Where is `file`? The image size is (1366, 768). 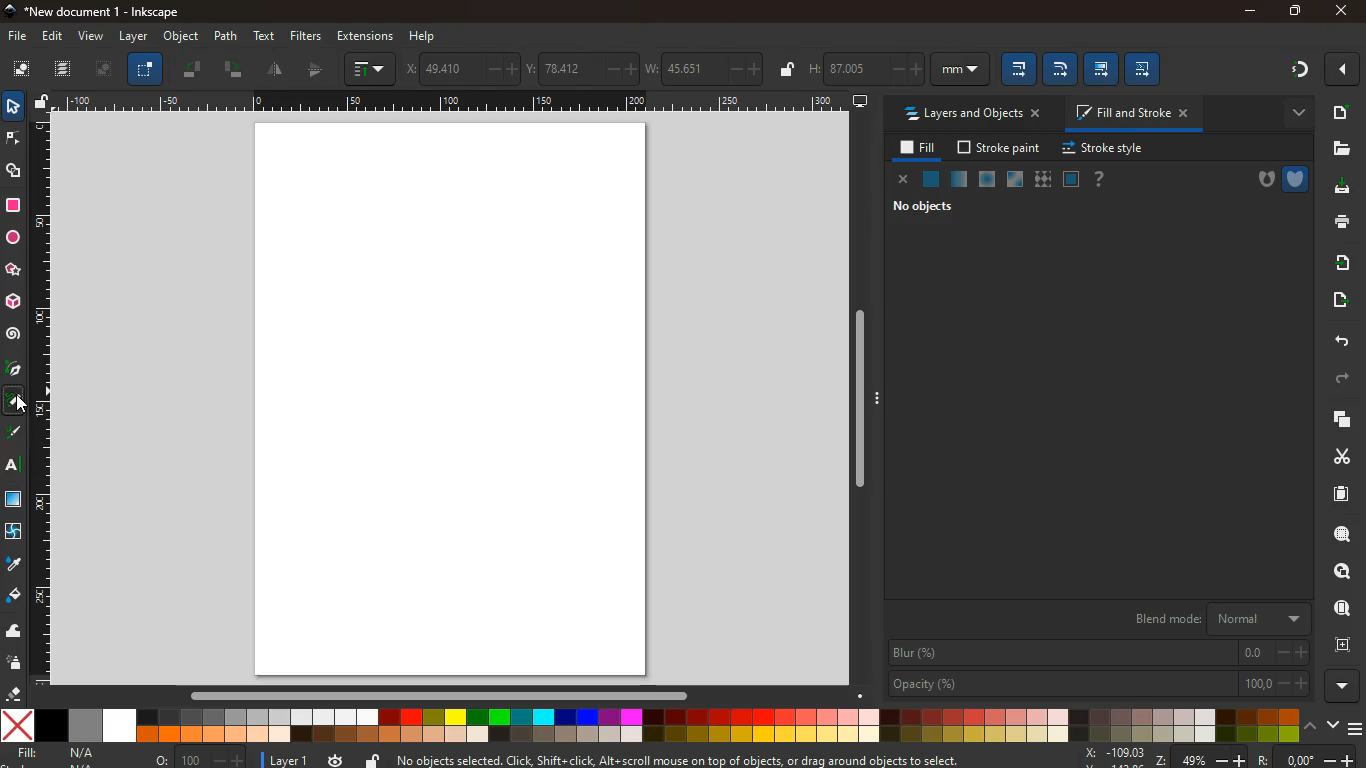 file is located at coordinates (18, 37).